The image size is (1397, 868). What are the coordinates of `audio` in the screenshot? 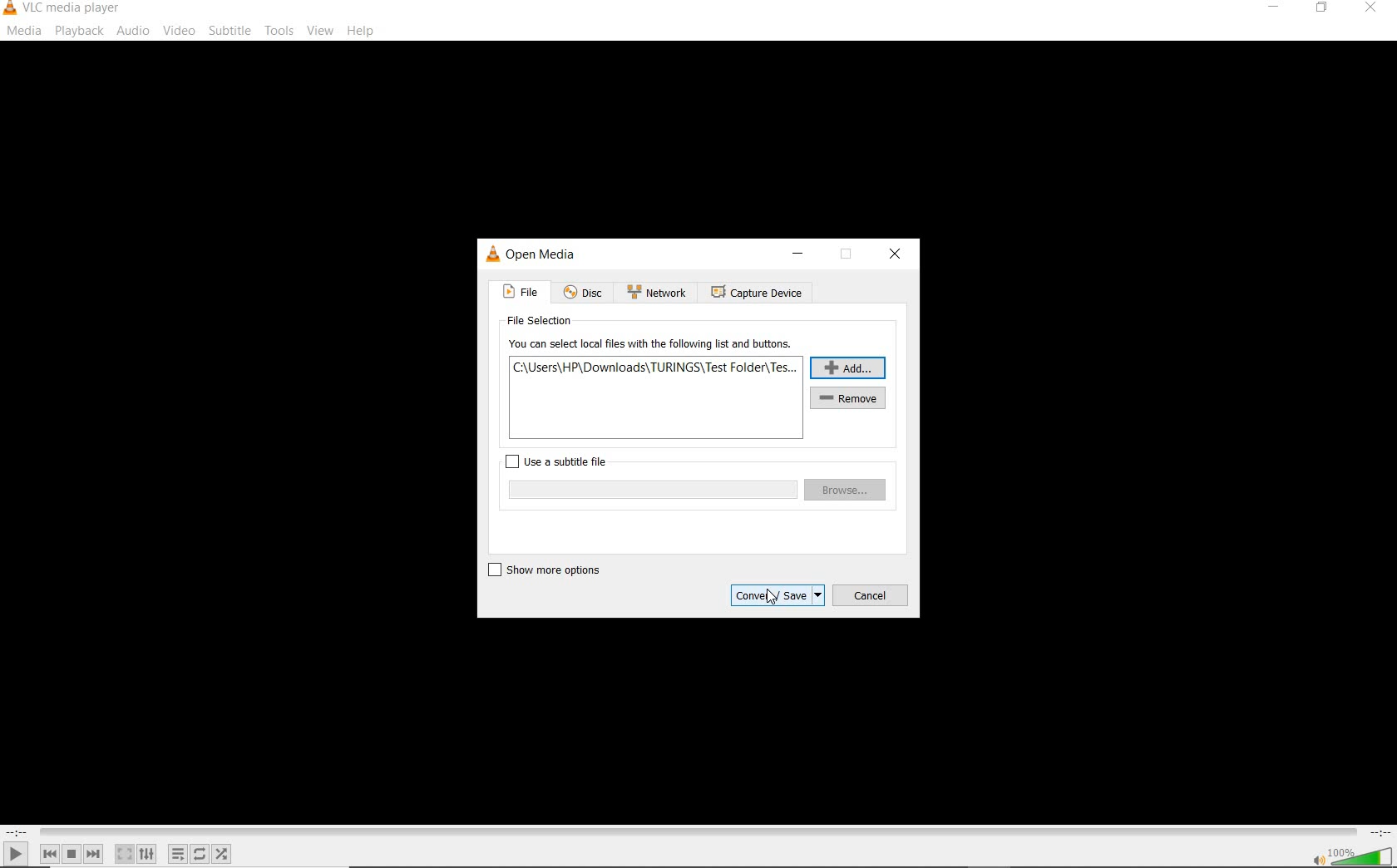 It's located at (135, 31).